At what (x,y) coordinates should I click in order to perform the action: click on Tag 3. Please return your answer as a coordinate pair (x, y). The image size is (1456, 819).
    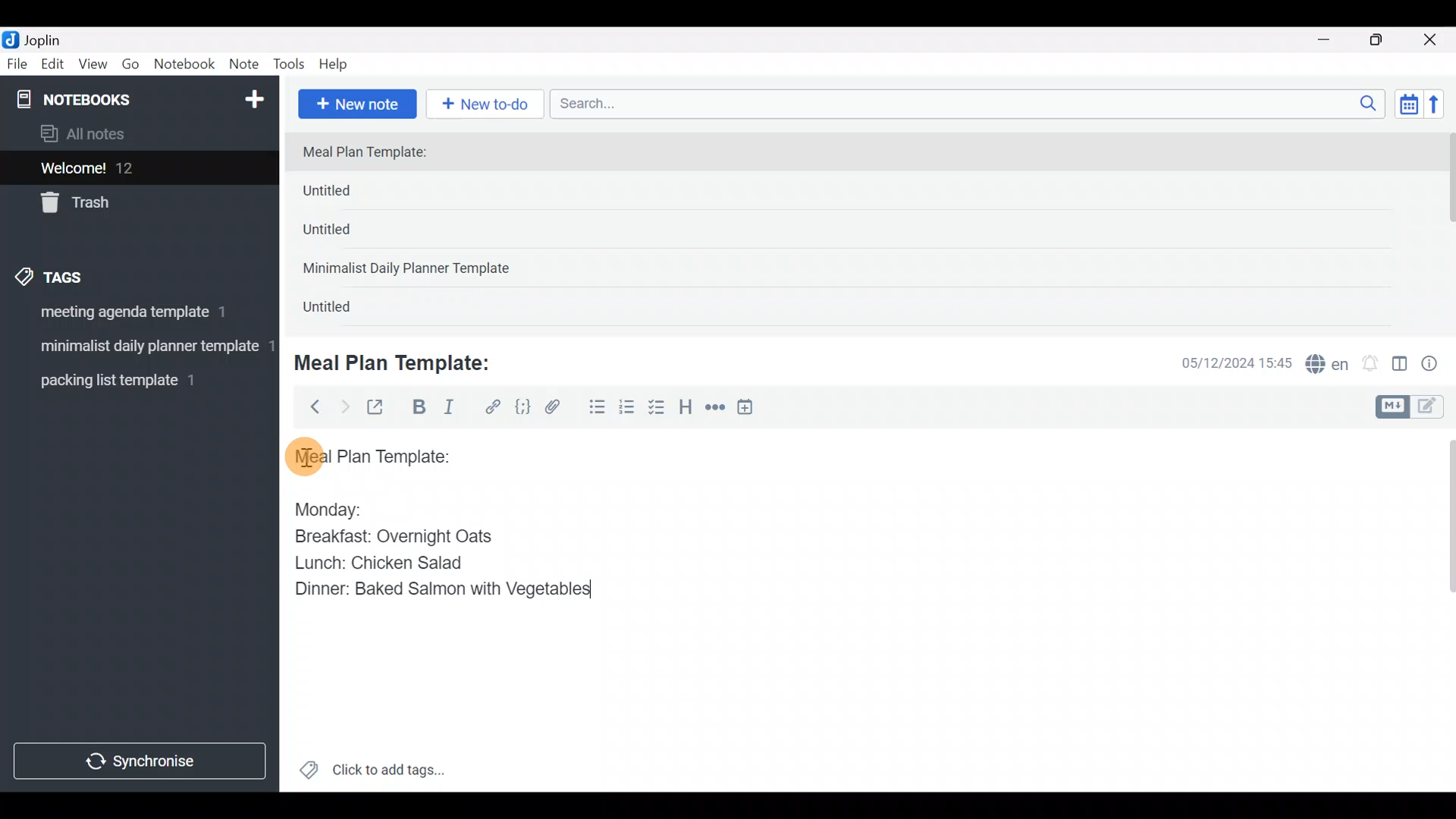
    Looking at the image, I should click on (134, 380).